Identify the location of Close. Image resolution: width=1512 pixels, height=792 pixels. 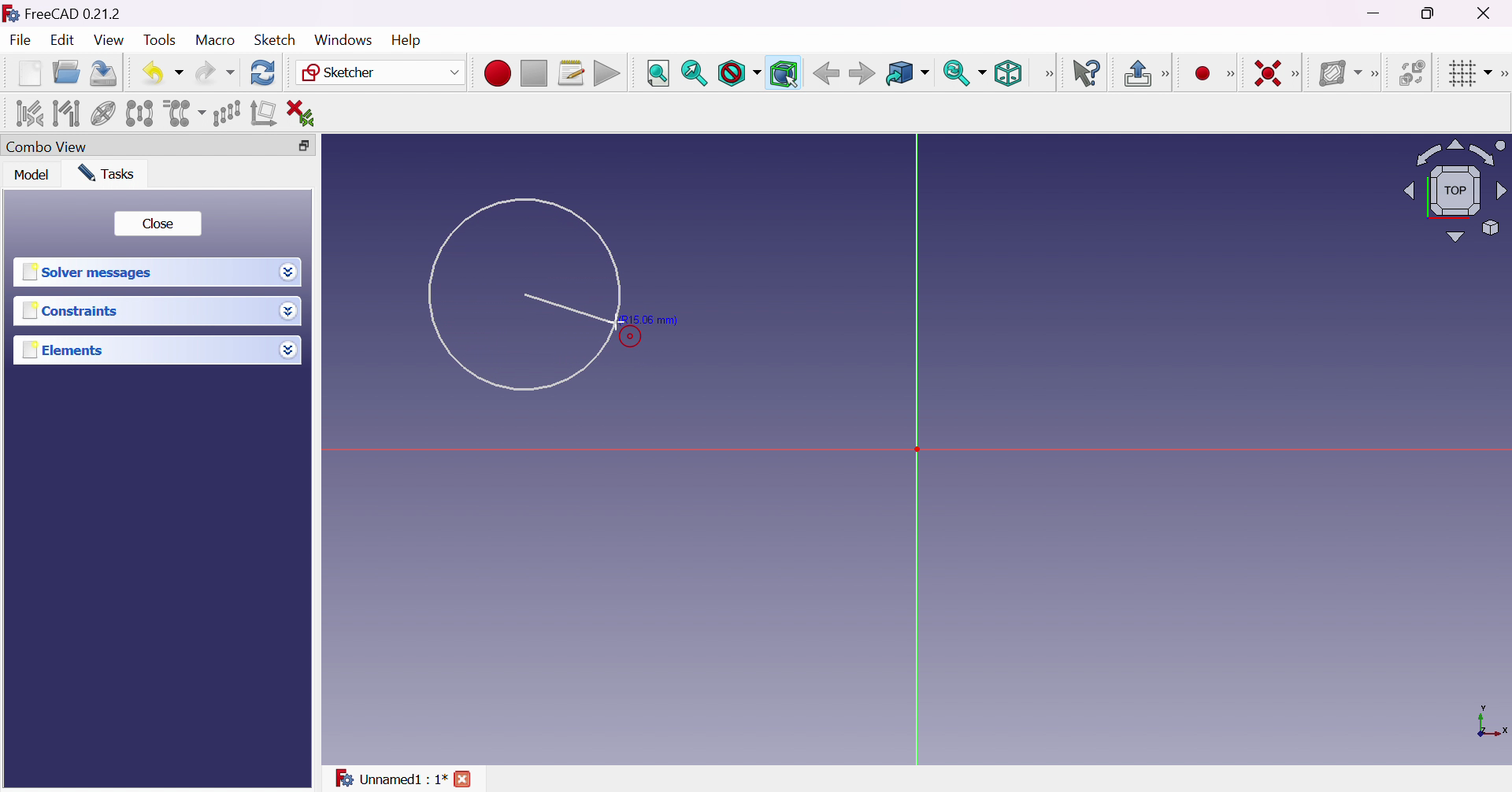
(157, 224).